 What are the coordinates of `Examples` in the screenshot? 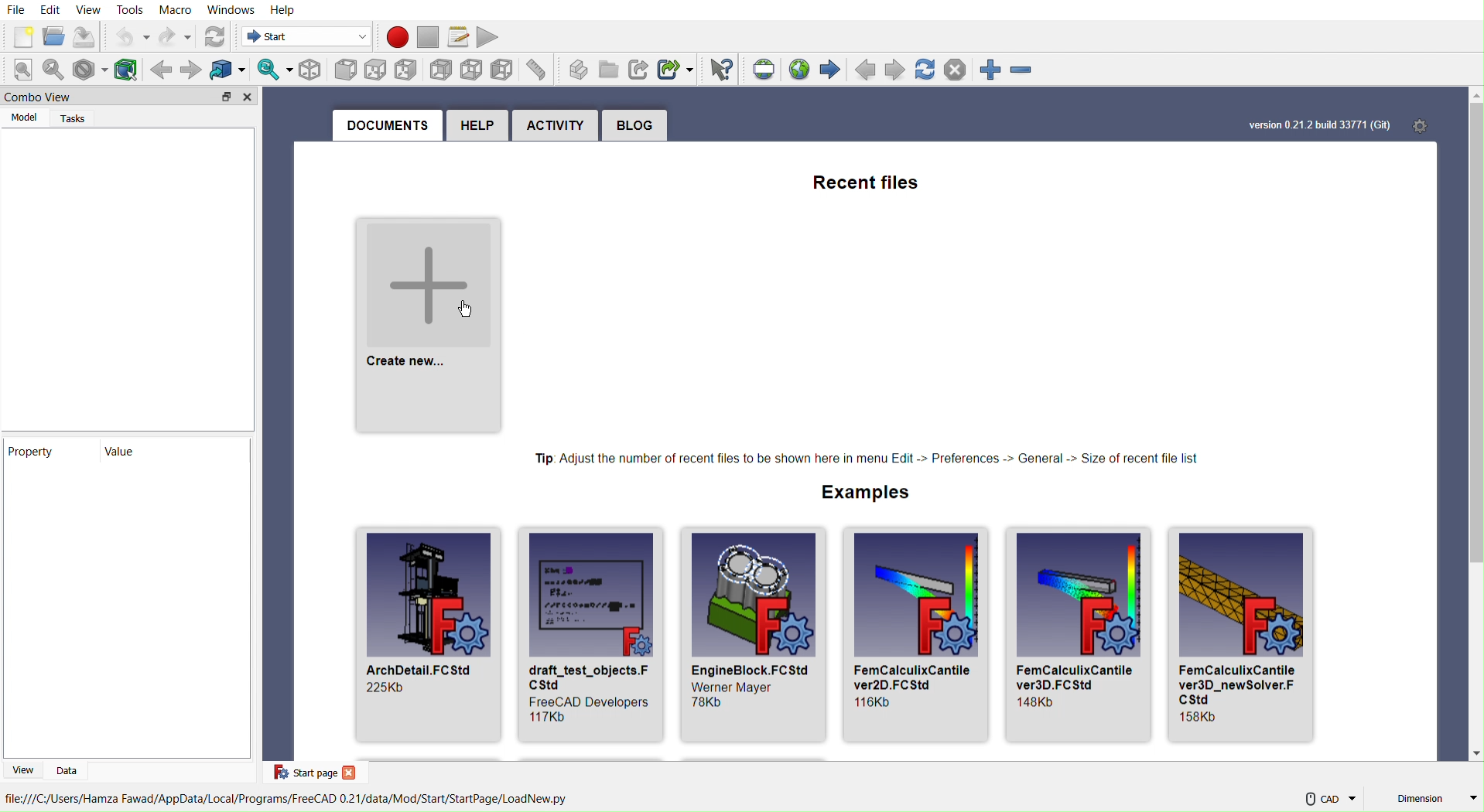 It's located at (863, 491).